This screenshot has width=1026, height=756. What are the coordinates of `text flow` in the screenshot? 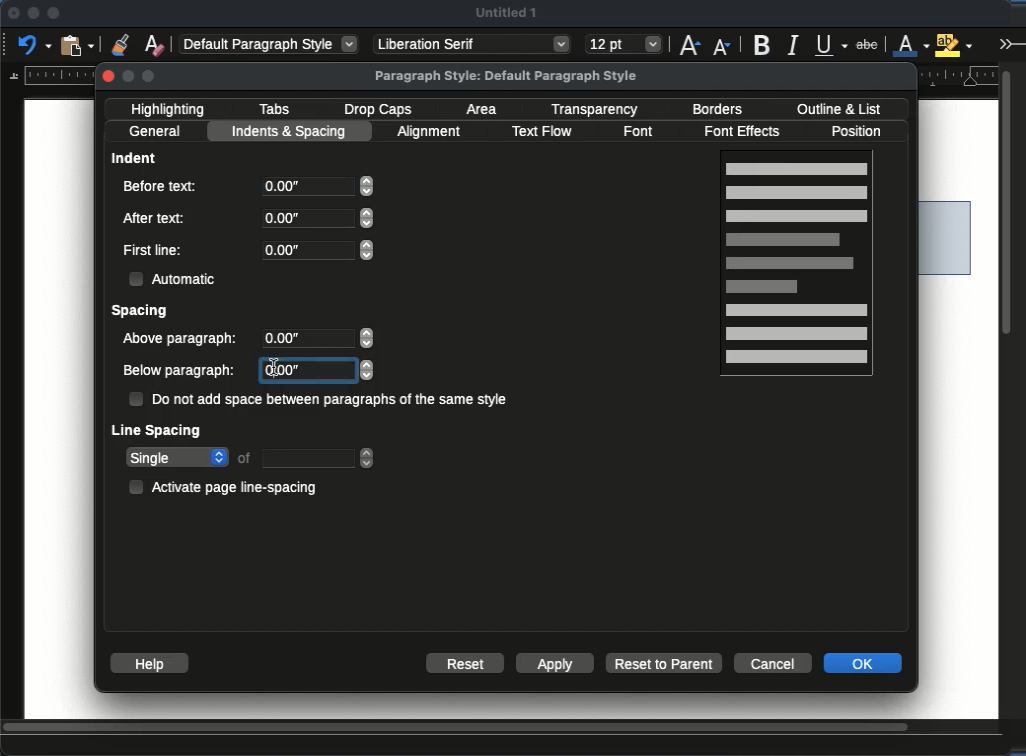 It's located at (542, 132).